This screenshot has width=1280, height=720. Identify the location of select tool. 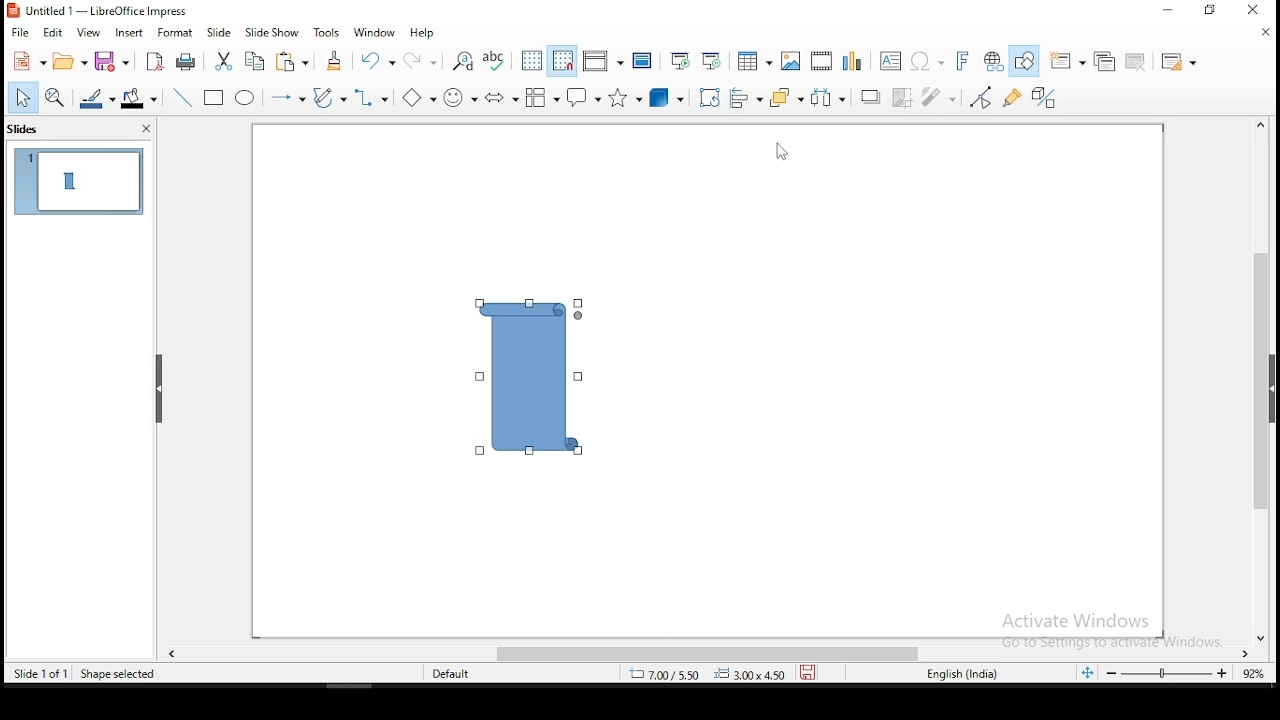
(23, 97).